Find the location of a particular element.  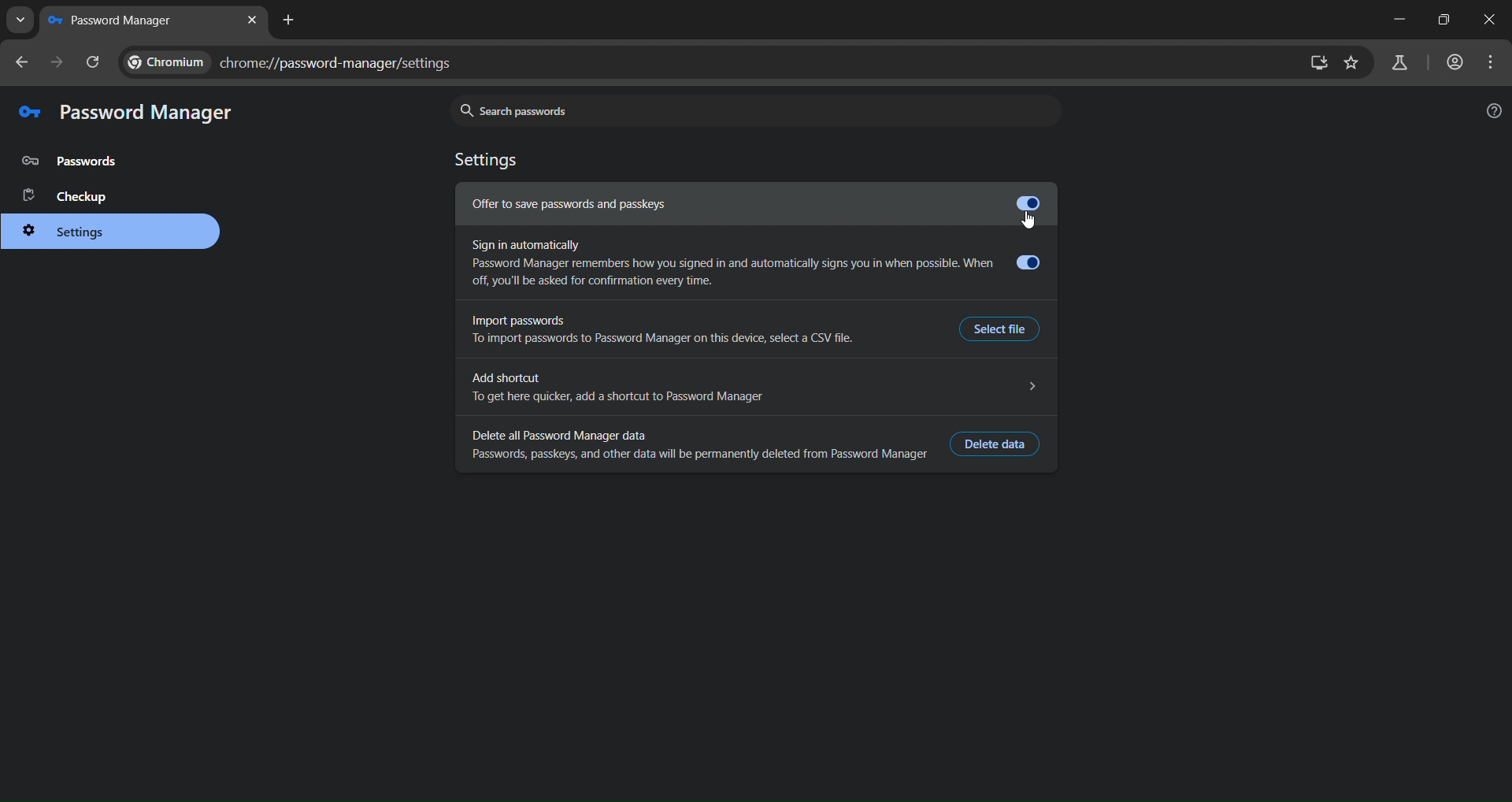

install app is located at coordinates (1317, 63).